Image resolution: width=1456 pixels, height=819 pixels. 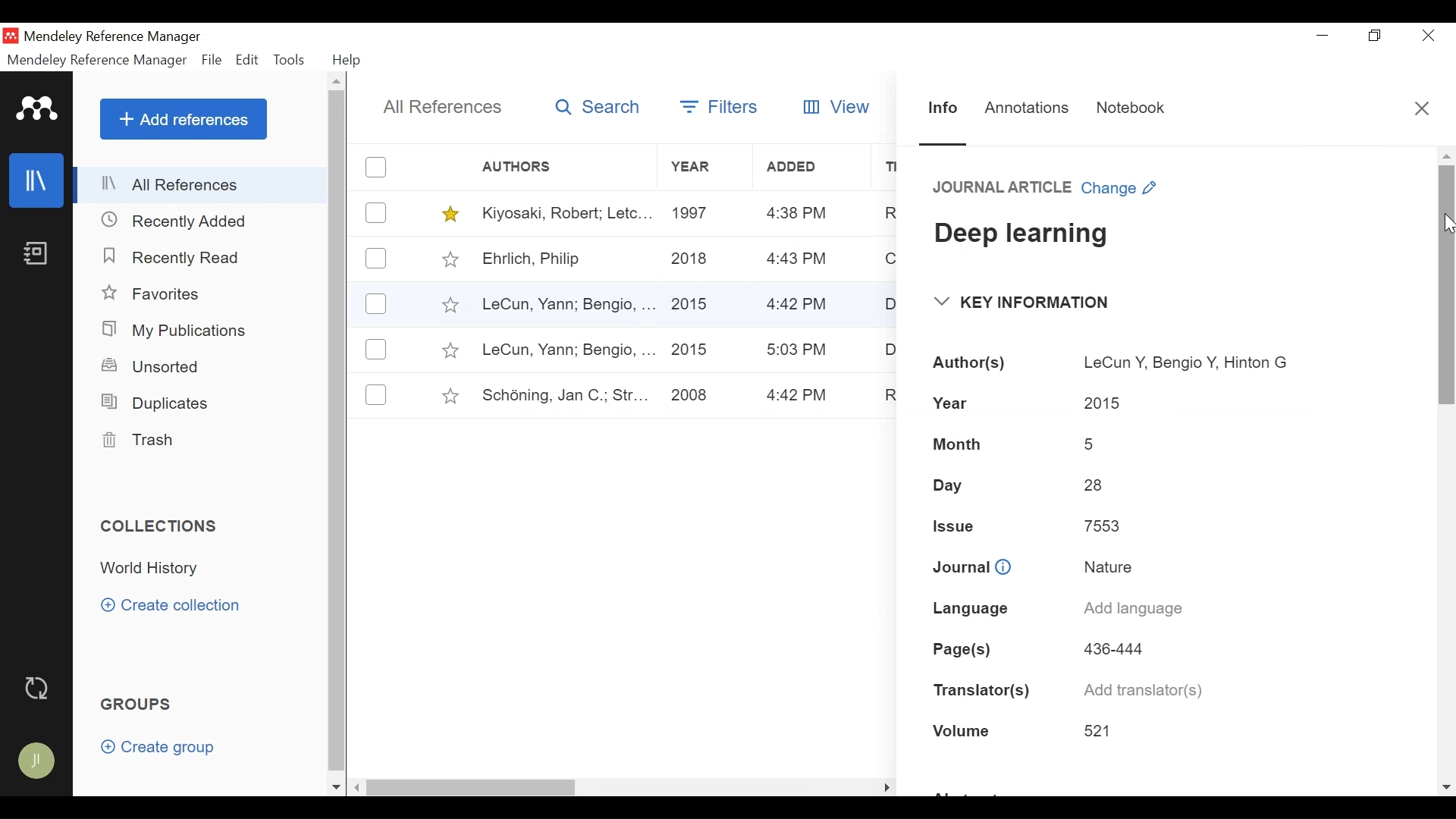 I want to click on Authors, so click(x=519, y=168).